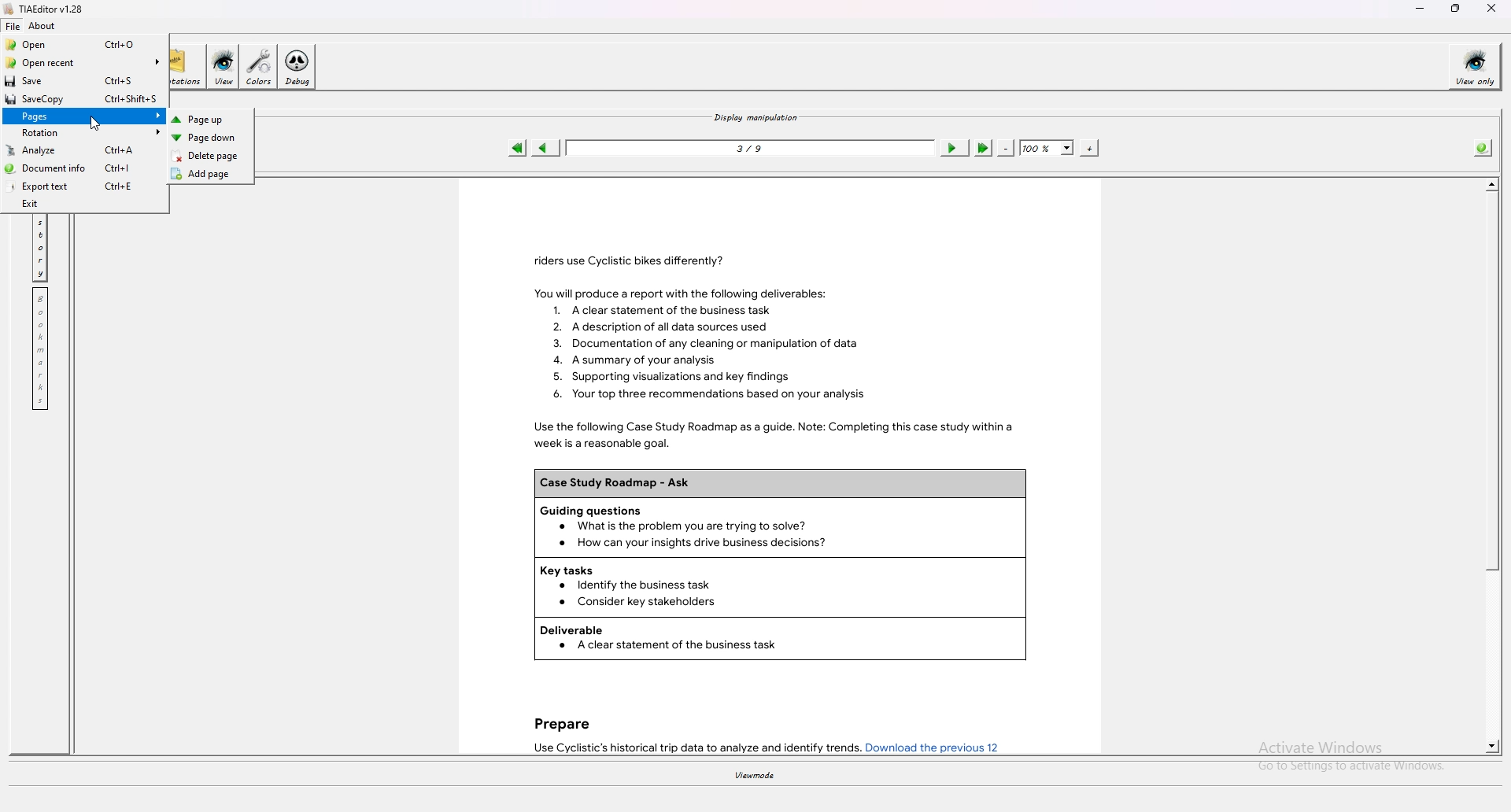 Image resolution: width=1511 pixels, height=812 pixels. I want to click on Page up, so click(205, 119).